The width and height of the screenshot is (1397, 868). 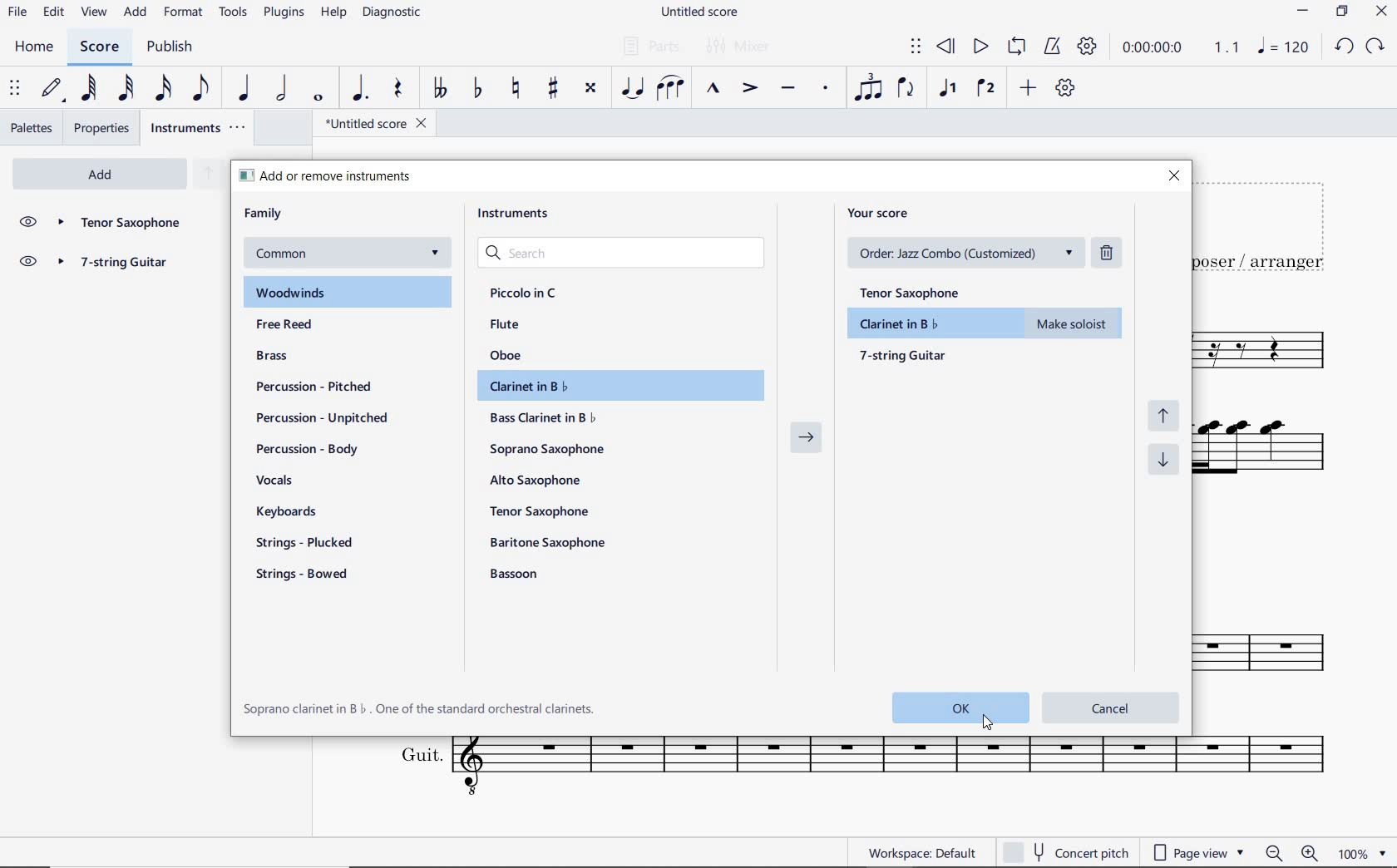 What do you see at coordinates (1014, 47) in the screenshot?
I see `LOOP PLAYBACK` at bounding box center [1014, 47].